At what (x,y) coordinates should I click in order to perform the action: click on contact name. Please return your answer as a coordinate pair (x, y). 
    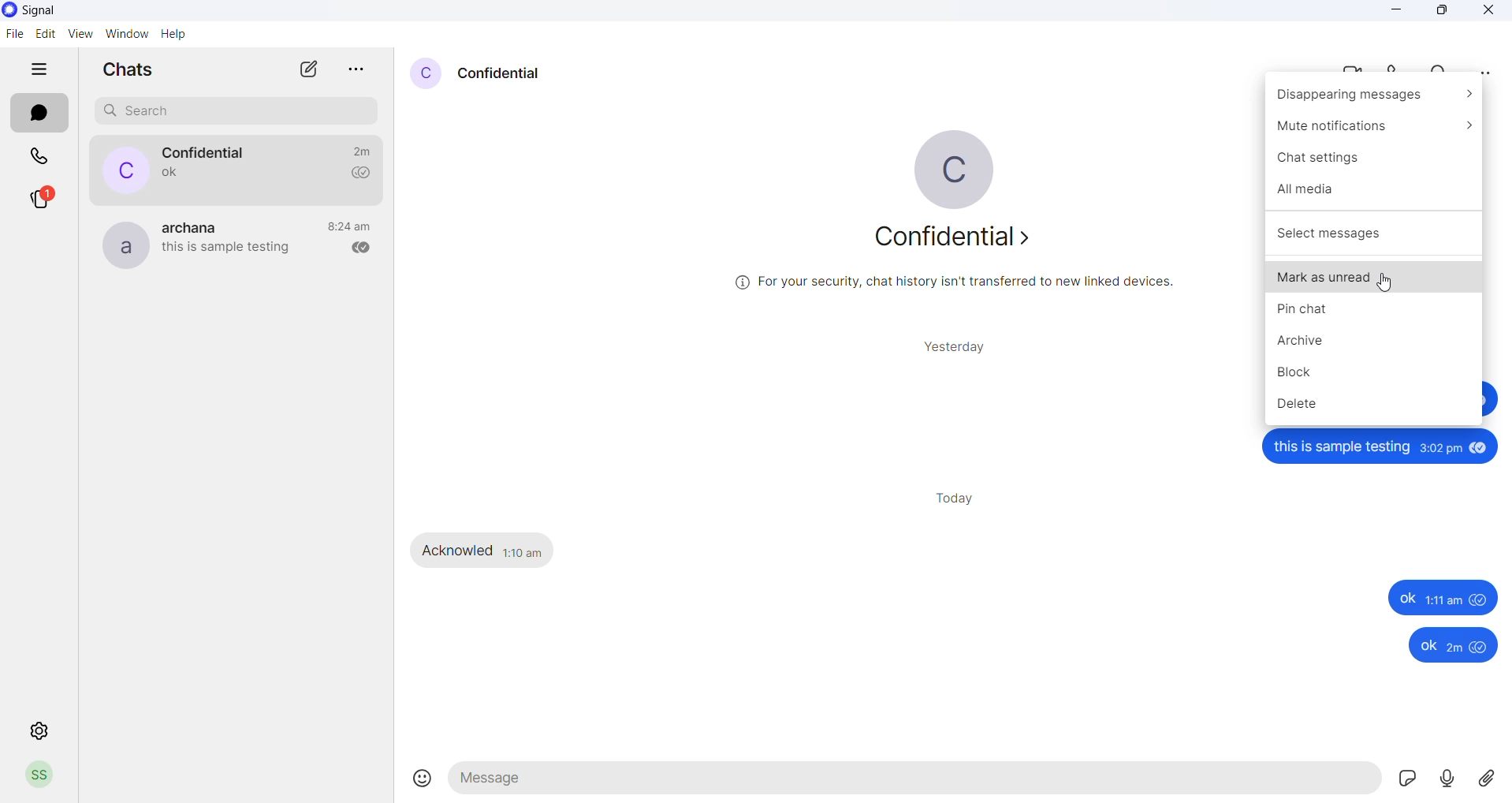
    Looking at the image, I should click on (503, 72).